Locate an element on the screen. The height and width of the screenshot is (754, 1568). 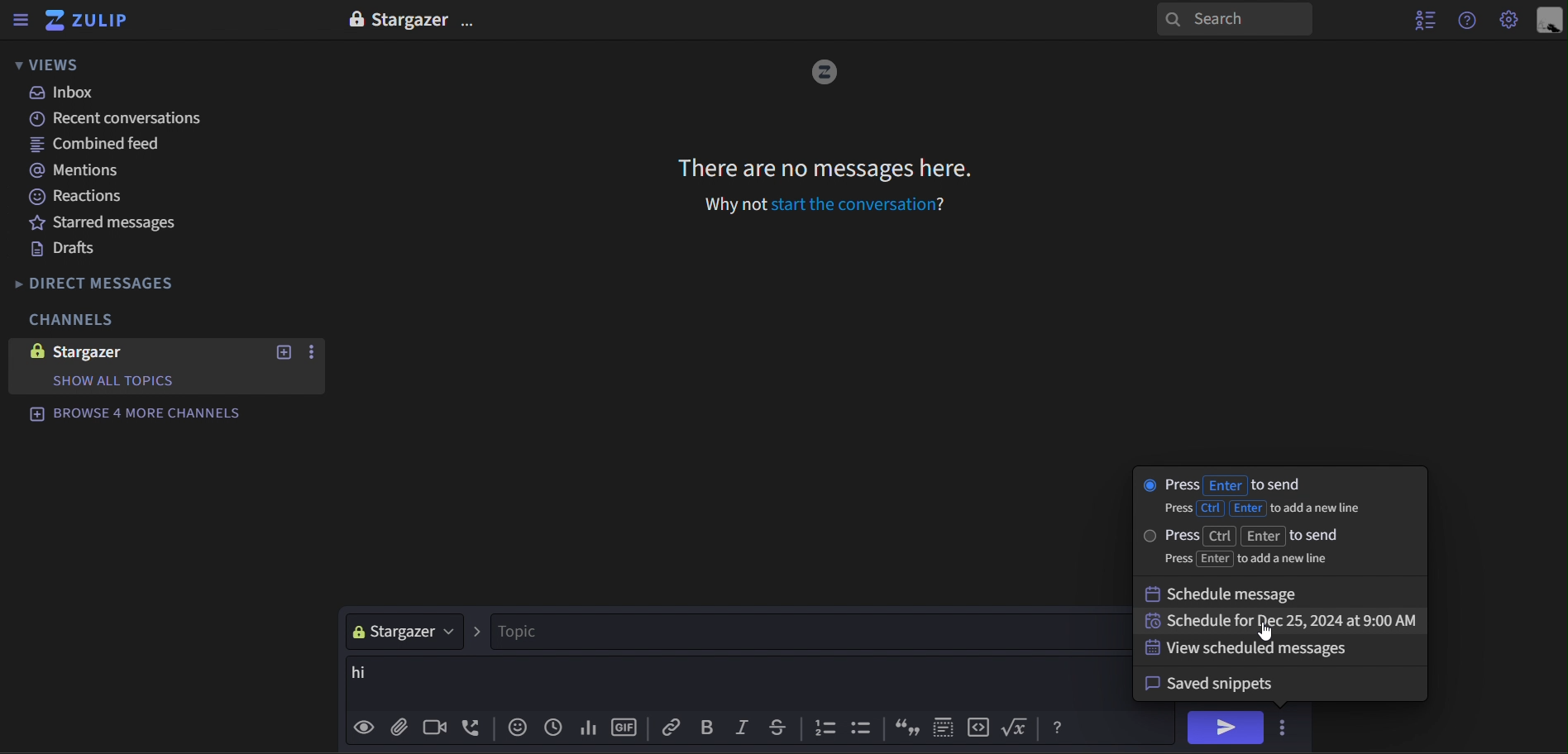
options is located at coordinates (470, 19).